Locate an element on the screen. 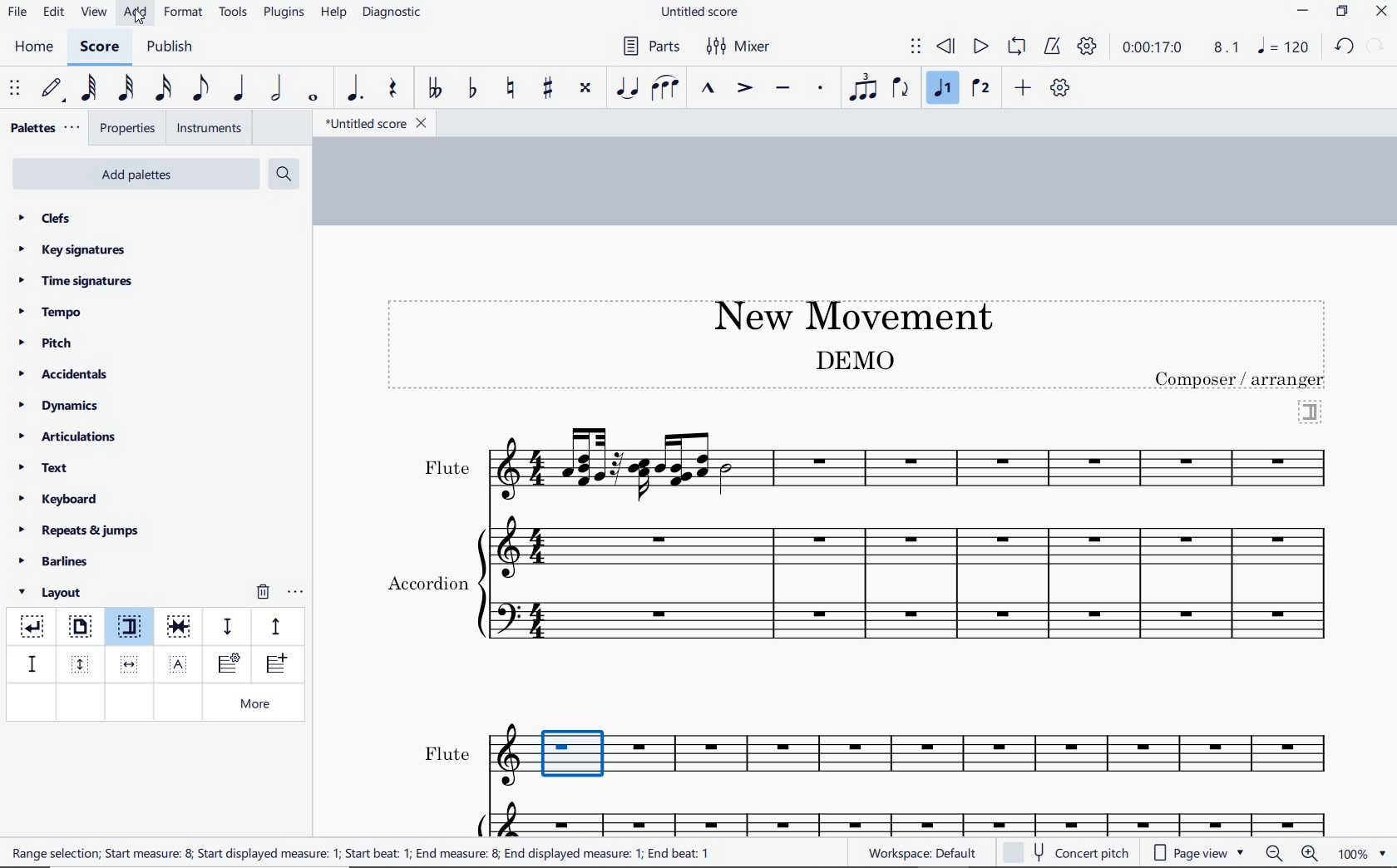 The height and width of the screenshot is (868, 1397). Playback speed is located at coordinates (1228, 48).